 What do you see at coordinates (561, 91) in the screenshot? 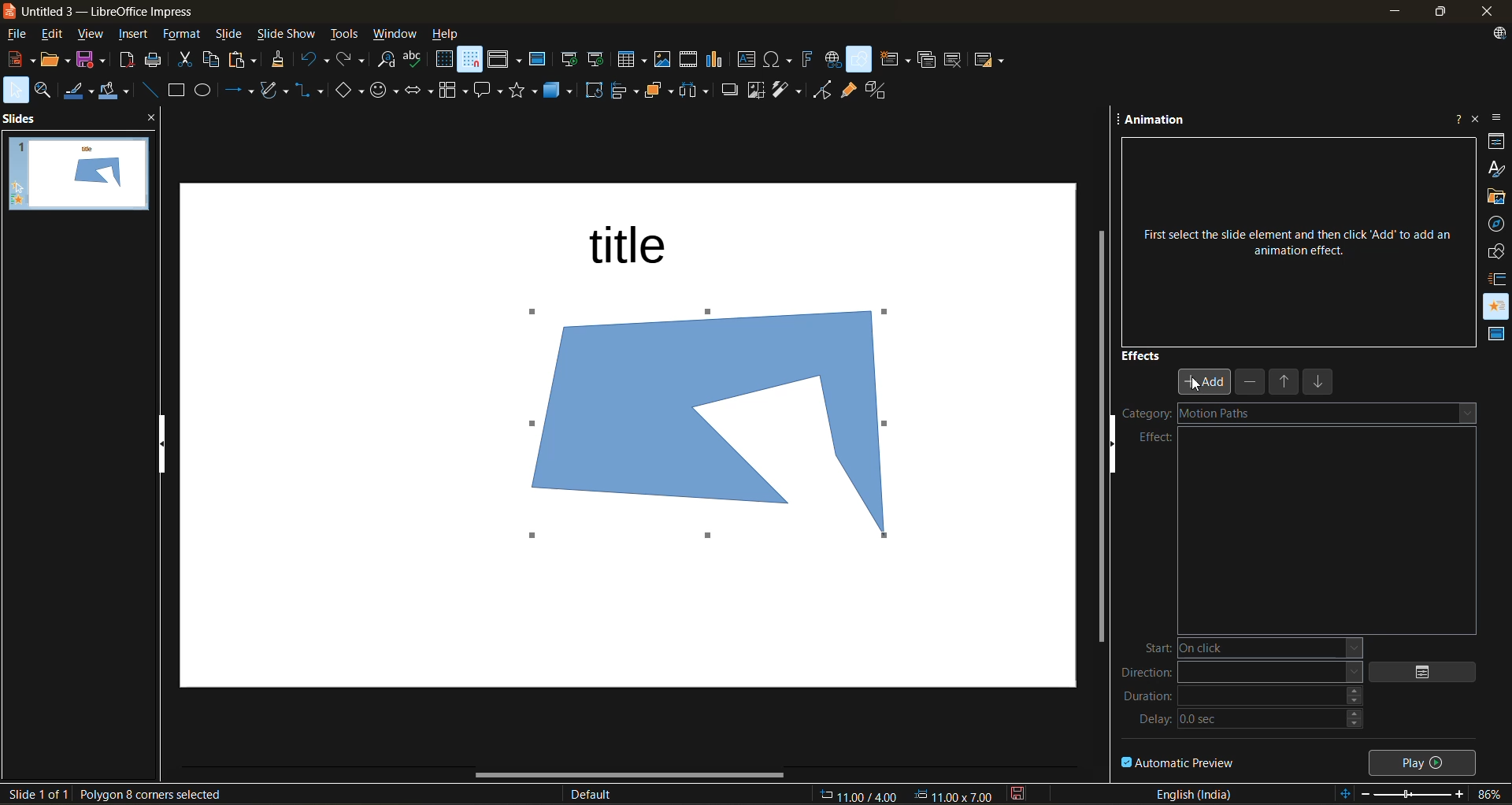
I see `3d objects` at bounding box center [561, 91].